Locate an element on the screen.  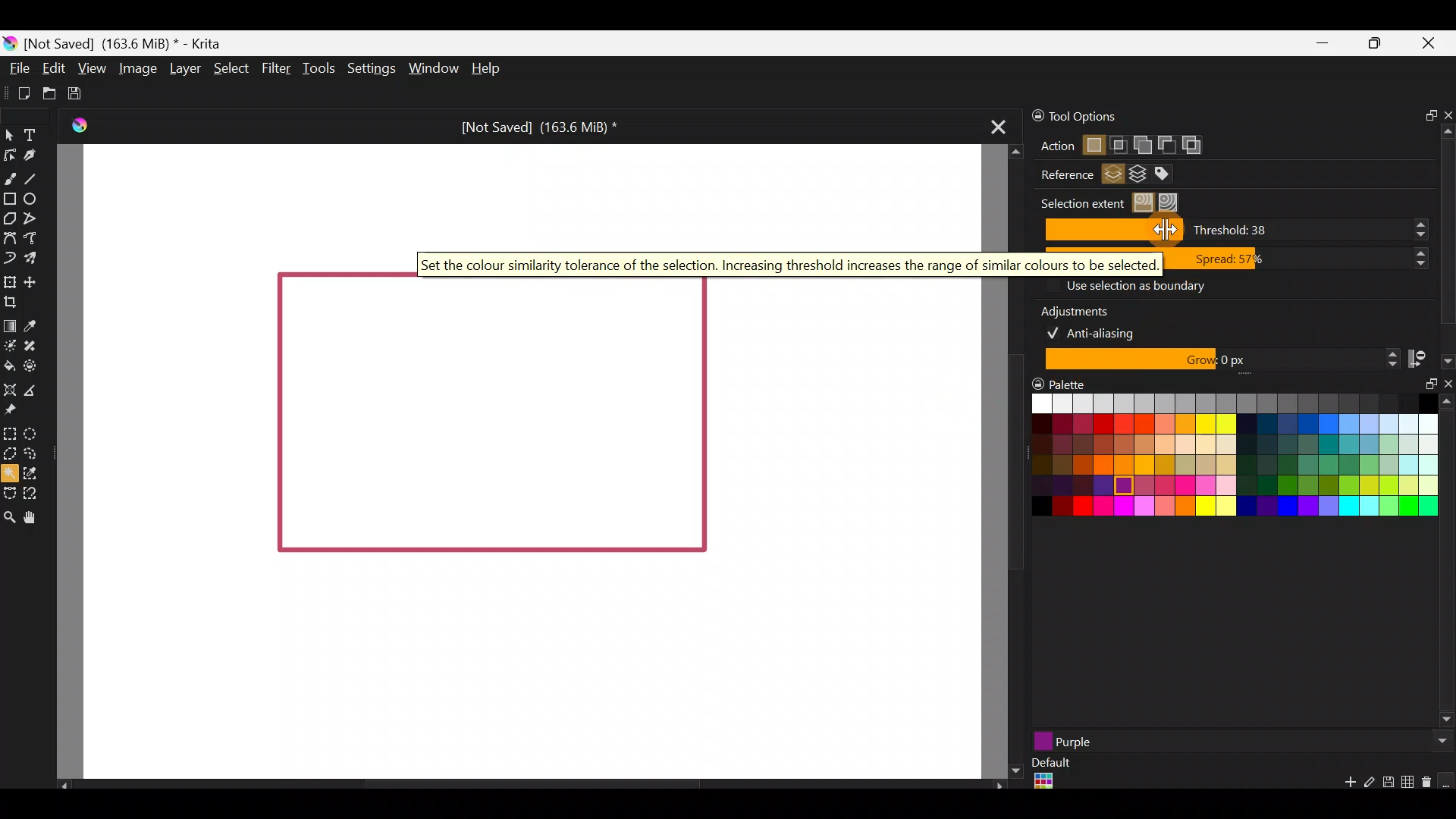
Transform a layer/selection is located at coordinates (9, 280).